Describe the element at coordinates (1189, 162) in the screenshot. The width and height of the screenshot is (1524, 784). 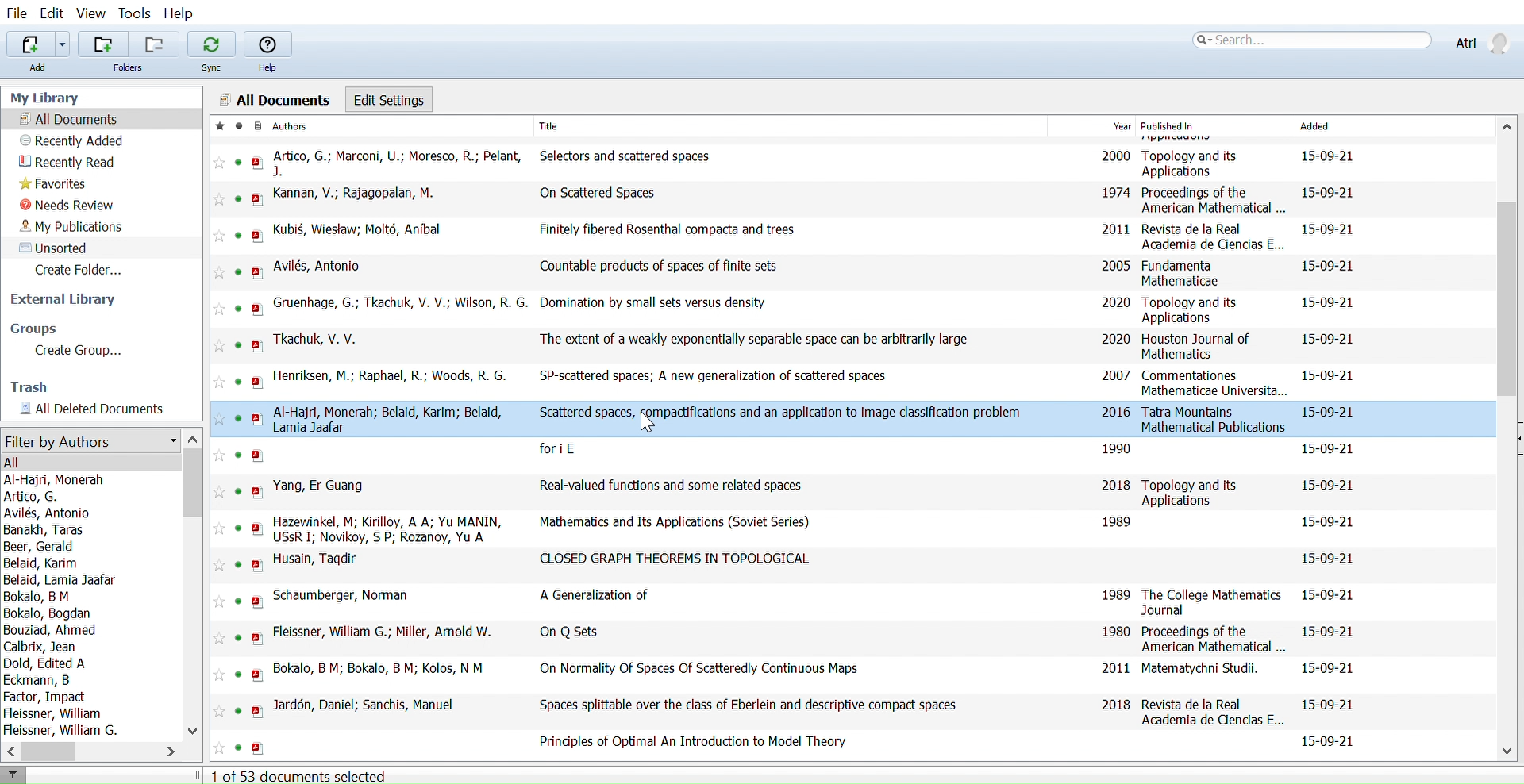
I see `Topology and its Applications` at that location.